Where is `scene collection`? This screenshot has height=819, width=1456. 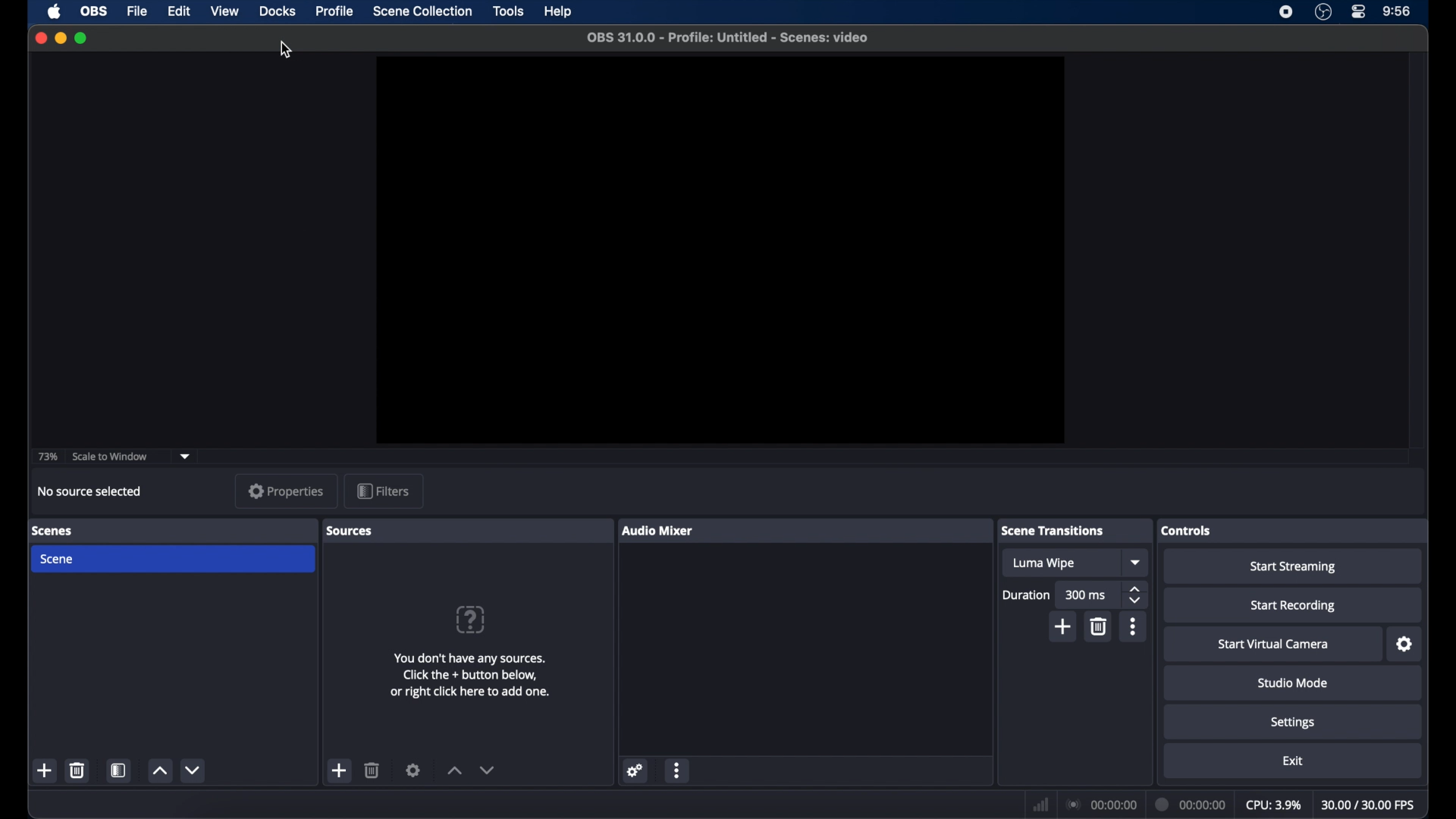
scene collection is located at coordinates (422, 11).